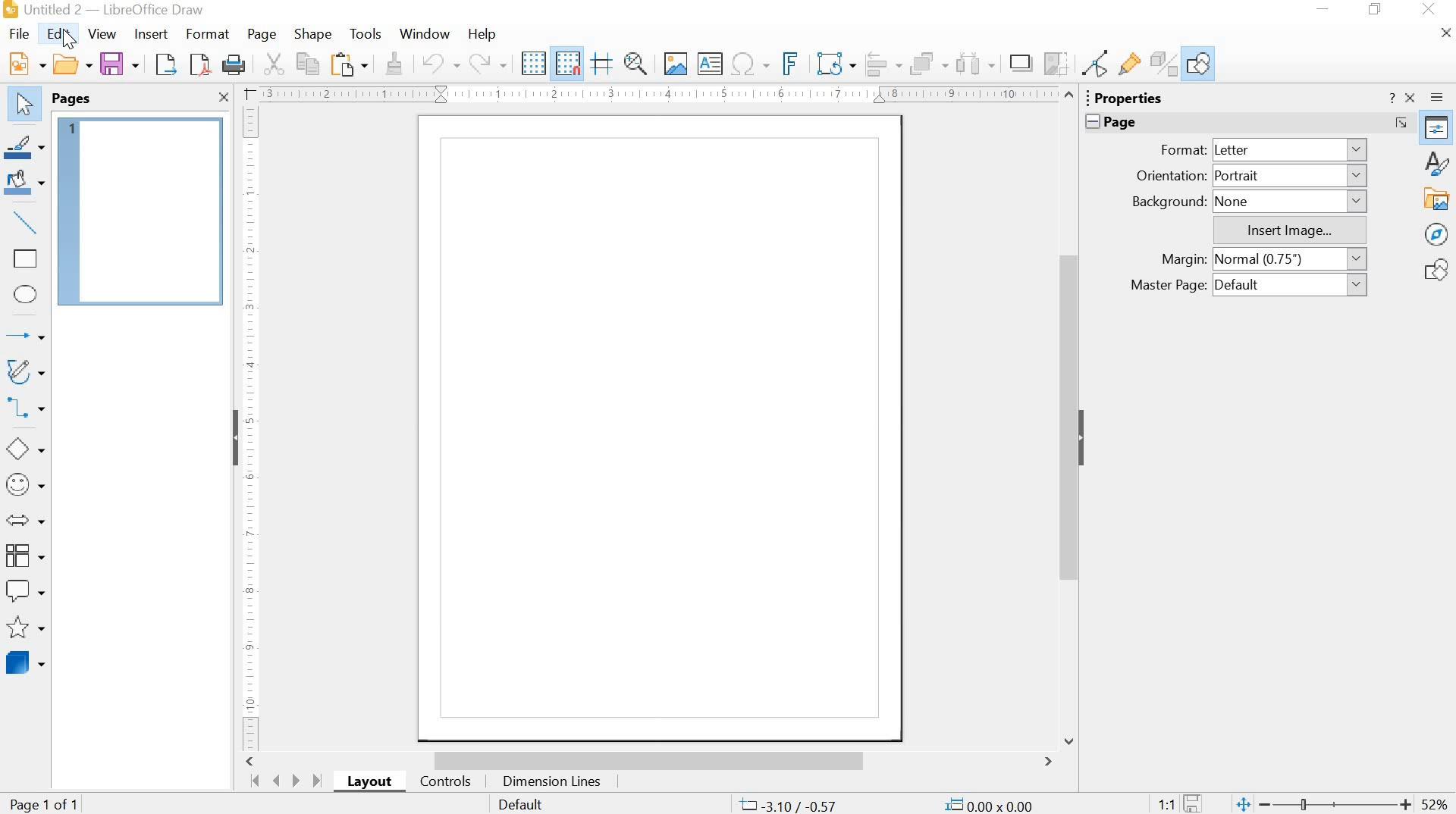 The width and height of the screenshot is (1456, 814). What do you see at coordinates (286, 781) in the screenshot?
I see `move pages` at bounding box center [286, 781].